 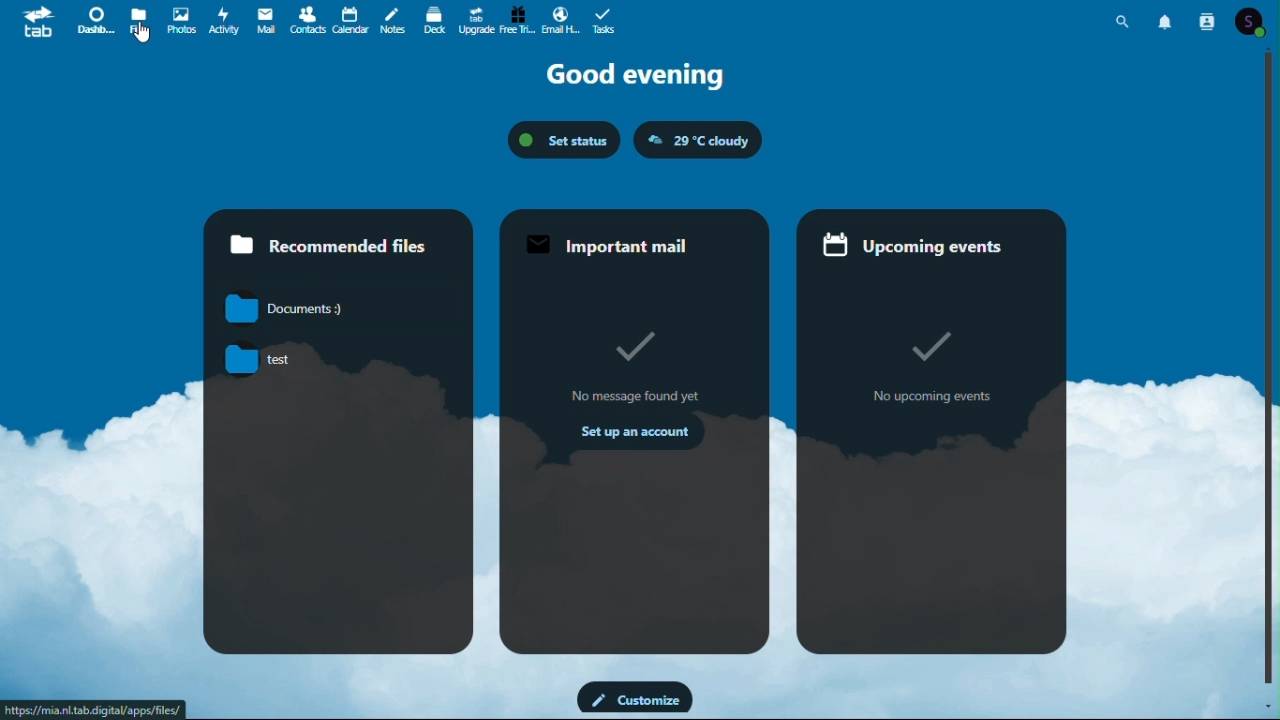 I want to click on search, so click(x=1123, y=20).